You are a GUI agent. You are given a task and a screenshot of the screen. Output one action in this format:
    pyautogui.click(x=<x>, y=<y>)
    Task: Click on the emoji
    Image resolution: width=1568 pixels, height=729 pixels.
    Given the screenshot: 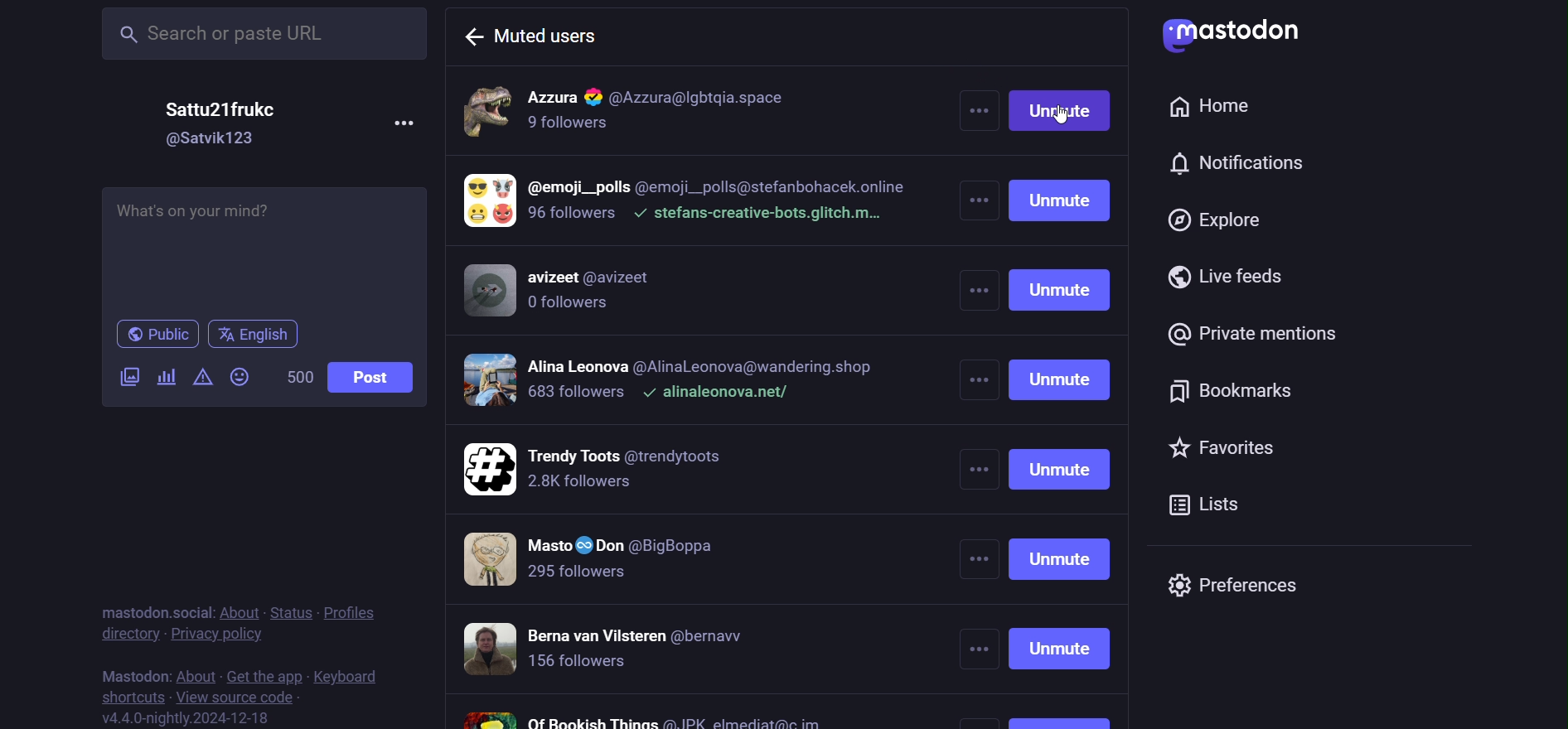 What is the action you would take?
    pyautogui.click(x=239, y=376)
    